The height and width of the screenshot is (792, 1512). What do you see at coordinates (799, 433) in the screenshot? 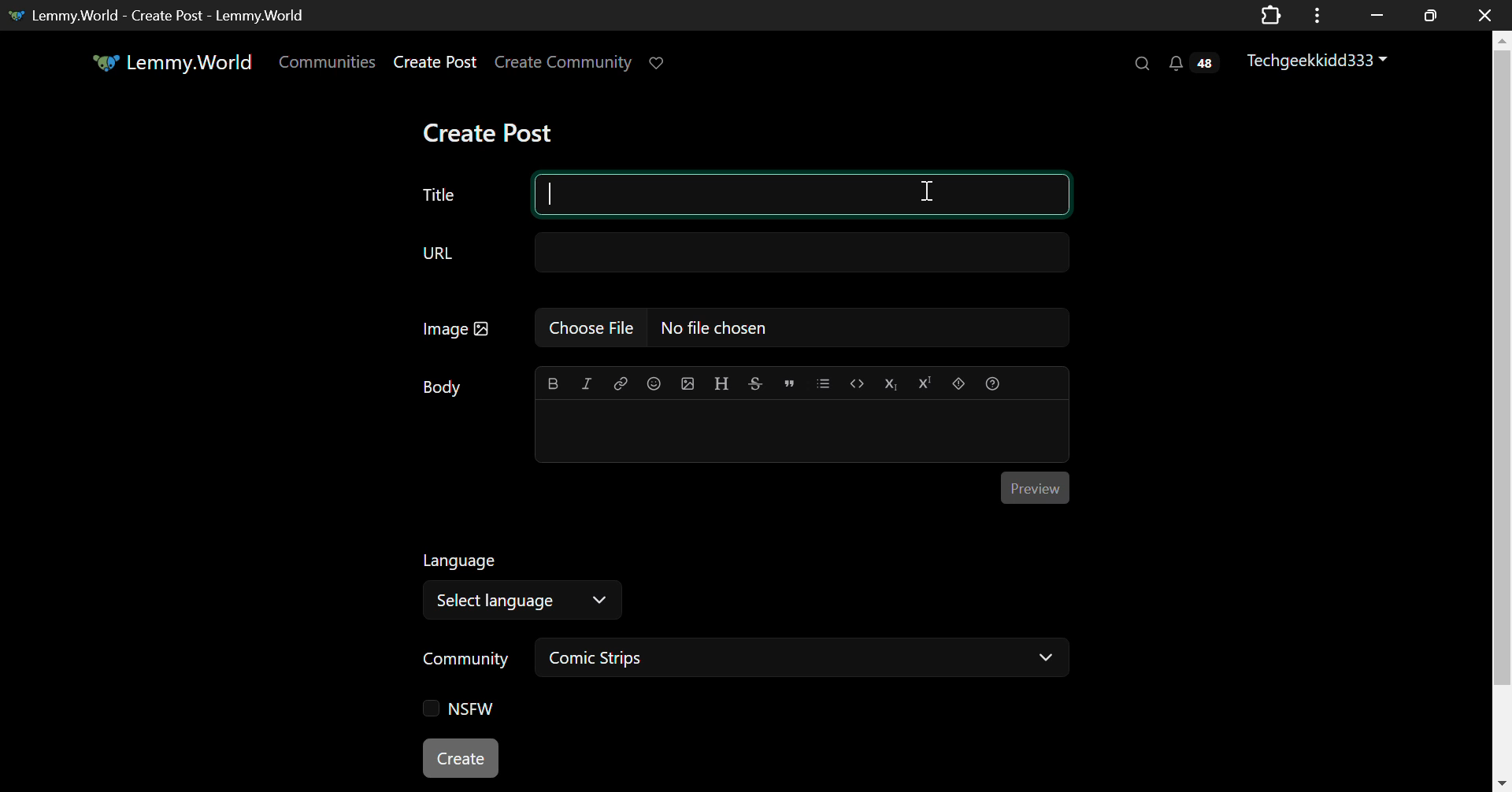
I see `Post Body Editing Textbox` at bounding box center [799, 433].